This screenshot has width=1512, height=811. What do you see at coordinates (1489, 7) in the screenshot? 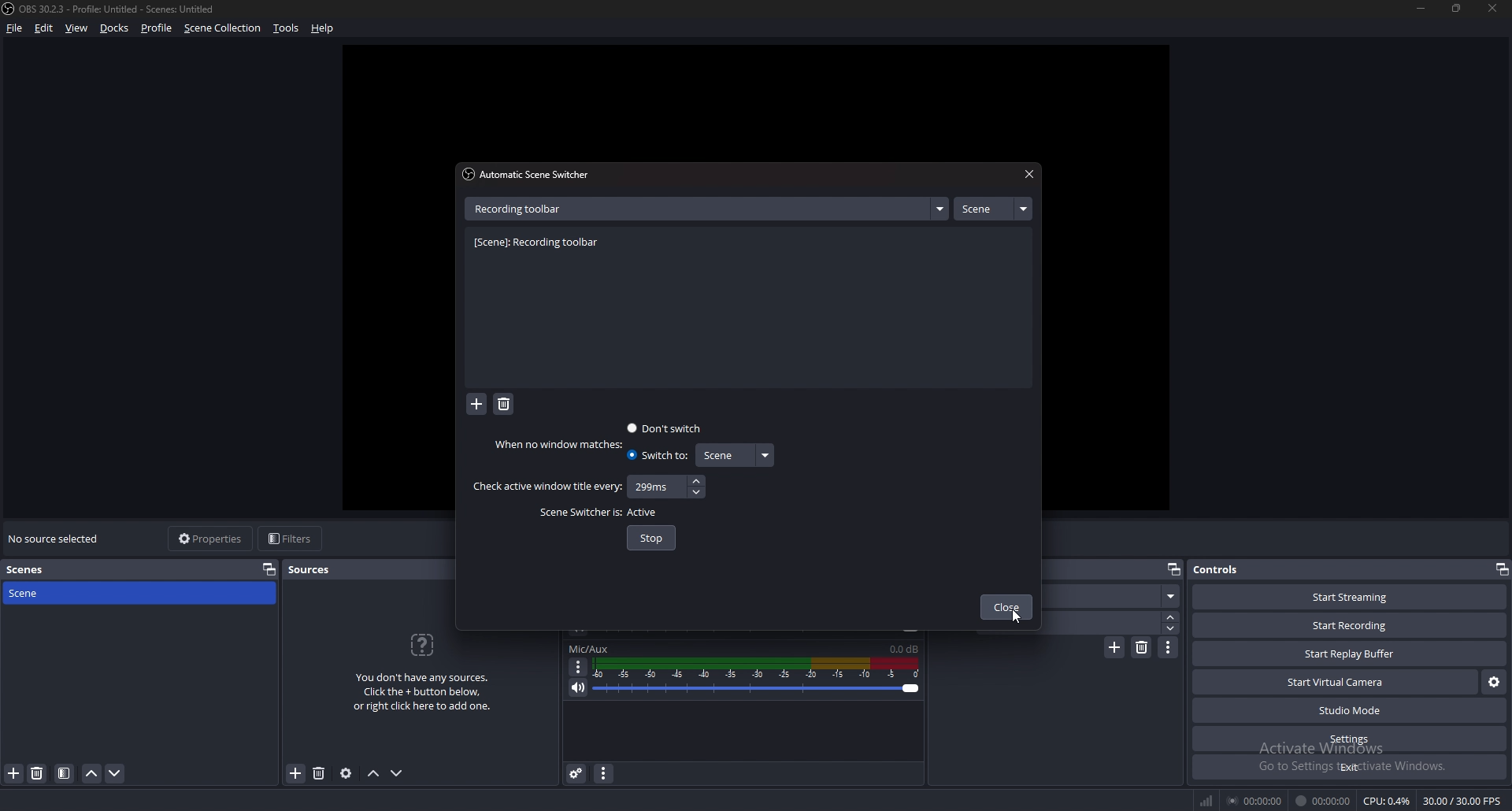
I see `close` at bounding box center [1489, 7].